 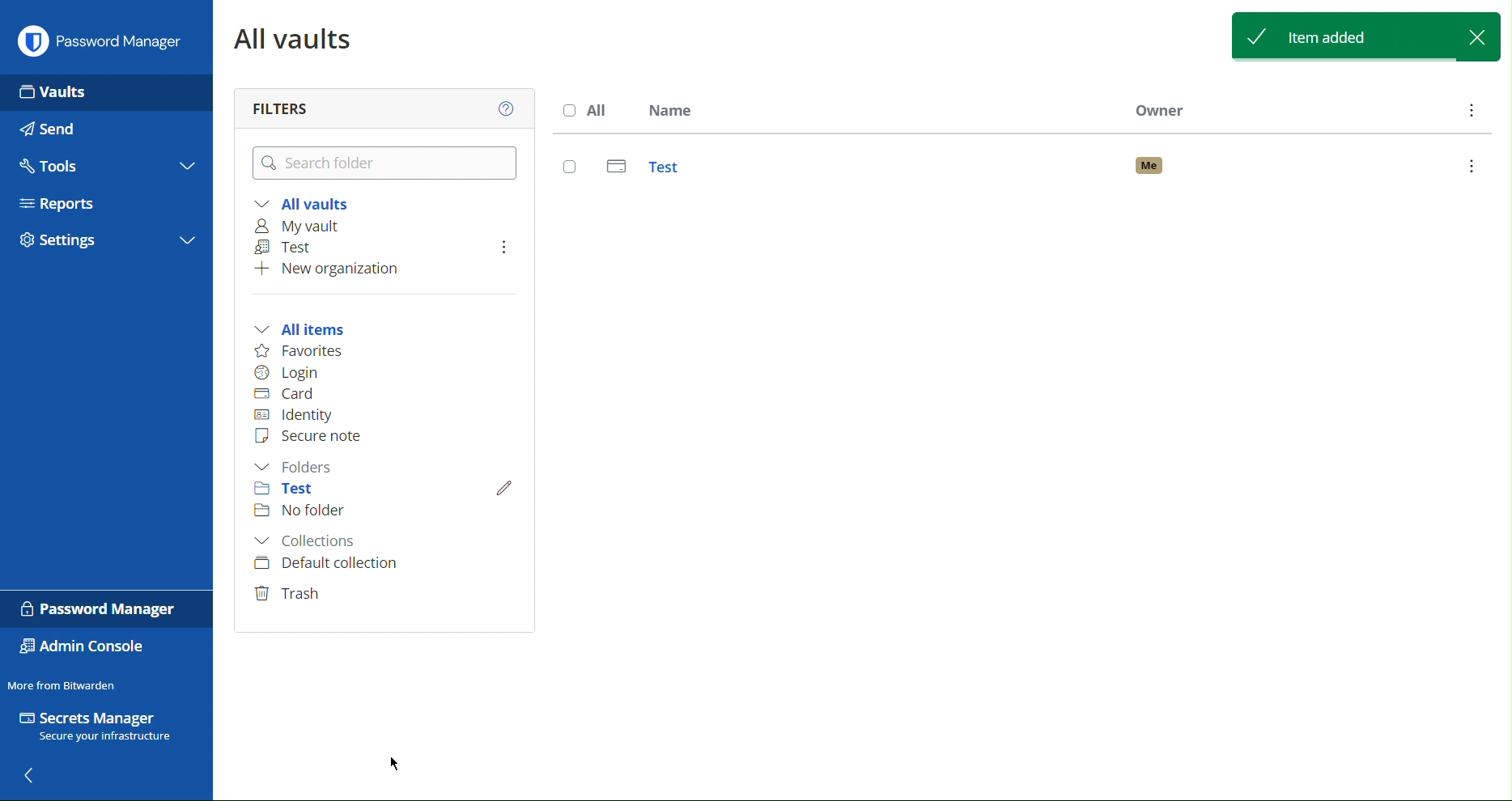 I want to click on Admin Console, so click(x=82, y=648).